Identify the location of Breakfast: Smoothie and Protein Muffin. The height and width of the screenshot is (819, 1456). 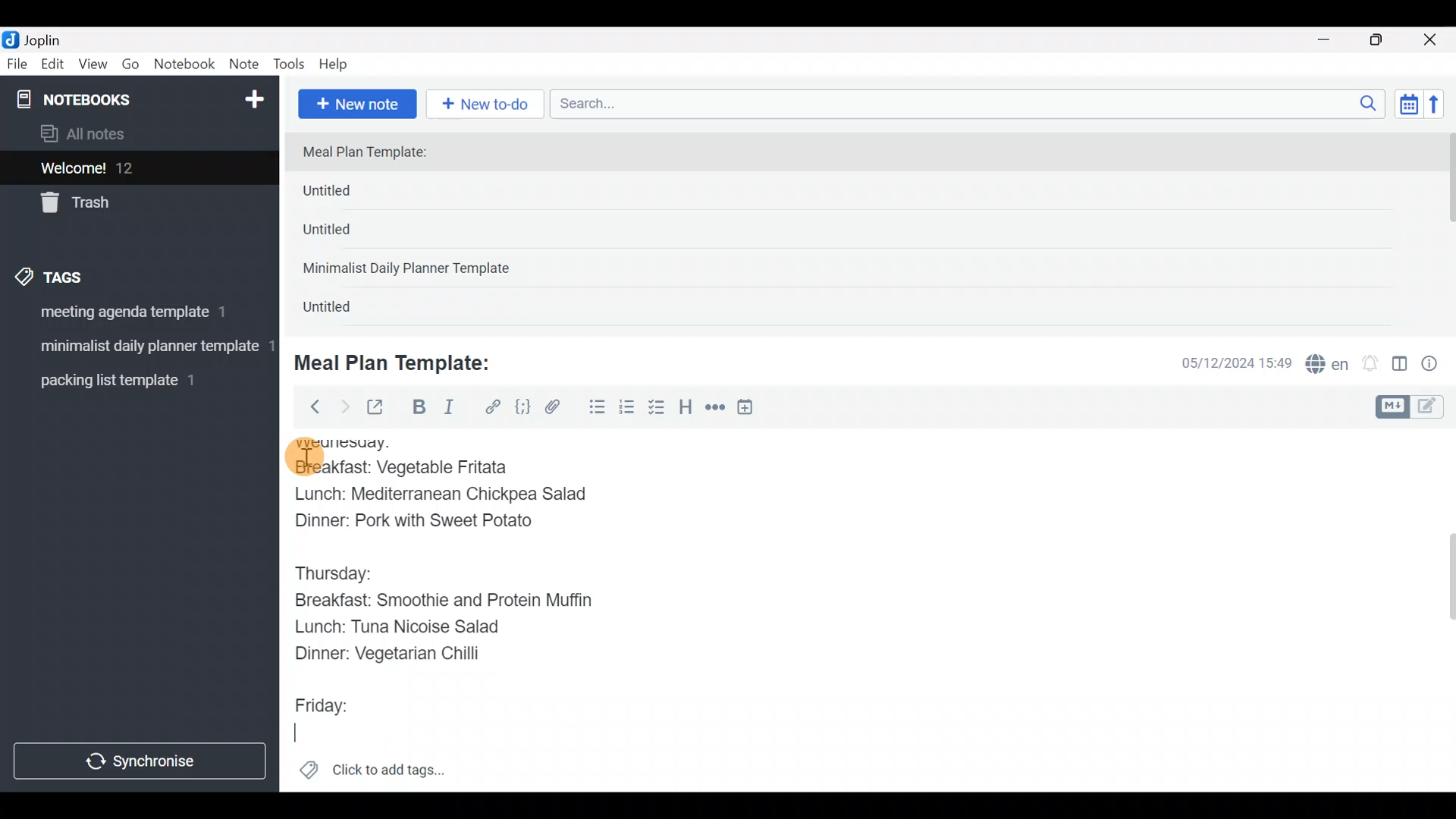
(443, 603).